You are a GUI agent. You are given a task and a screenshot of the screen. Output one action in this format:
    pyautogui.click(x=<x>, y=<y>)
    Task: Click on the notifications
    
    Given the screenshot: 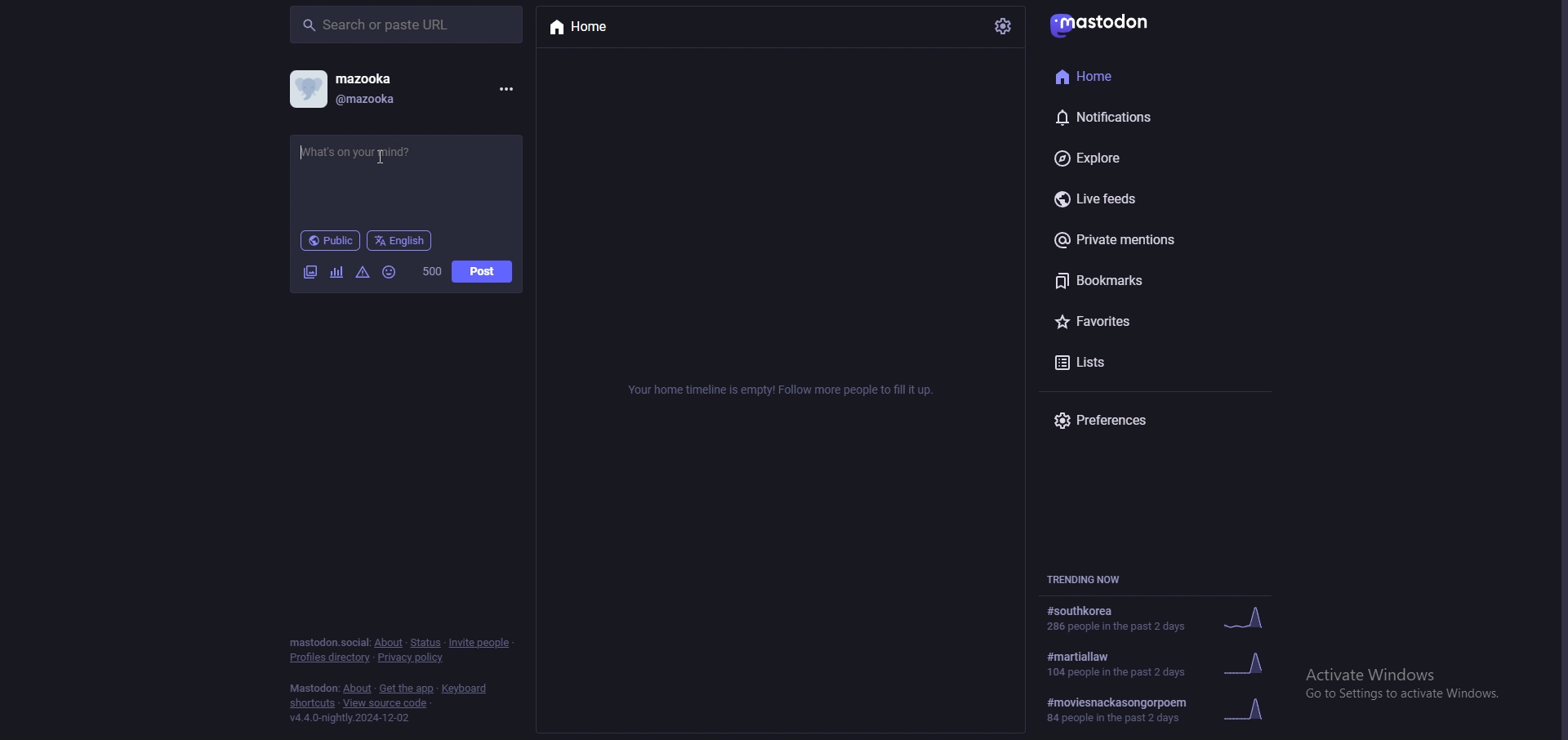 What is the action you would take?
    pyautogui.click(x=1134, y=114)
    